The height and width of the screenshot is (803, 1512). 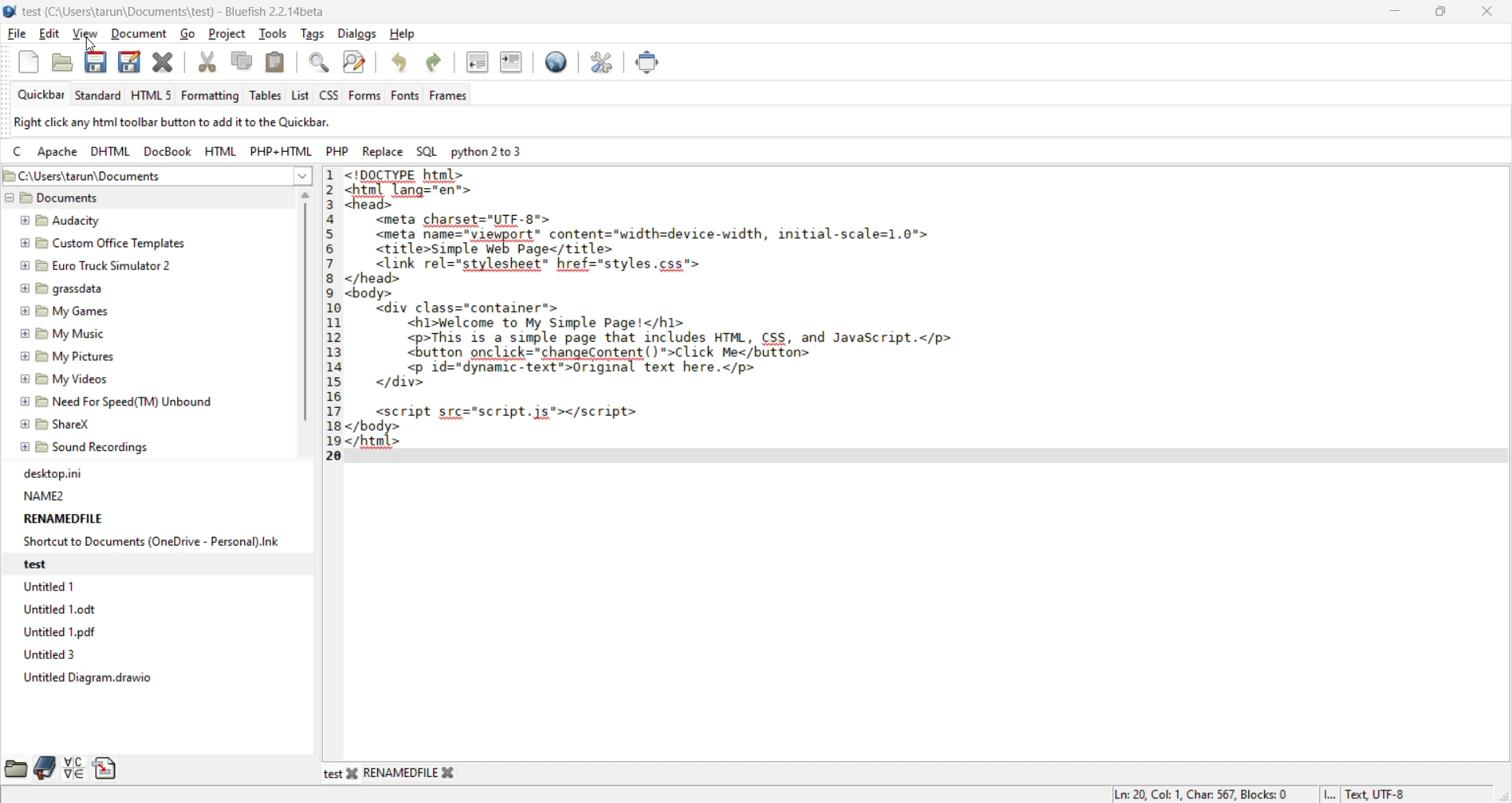 I want to click on go, so click(x=190, y=34).